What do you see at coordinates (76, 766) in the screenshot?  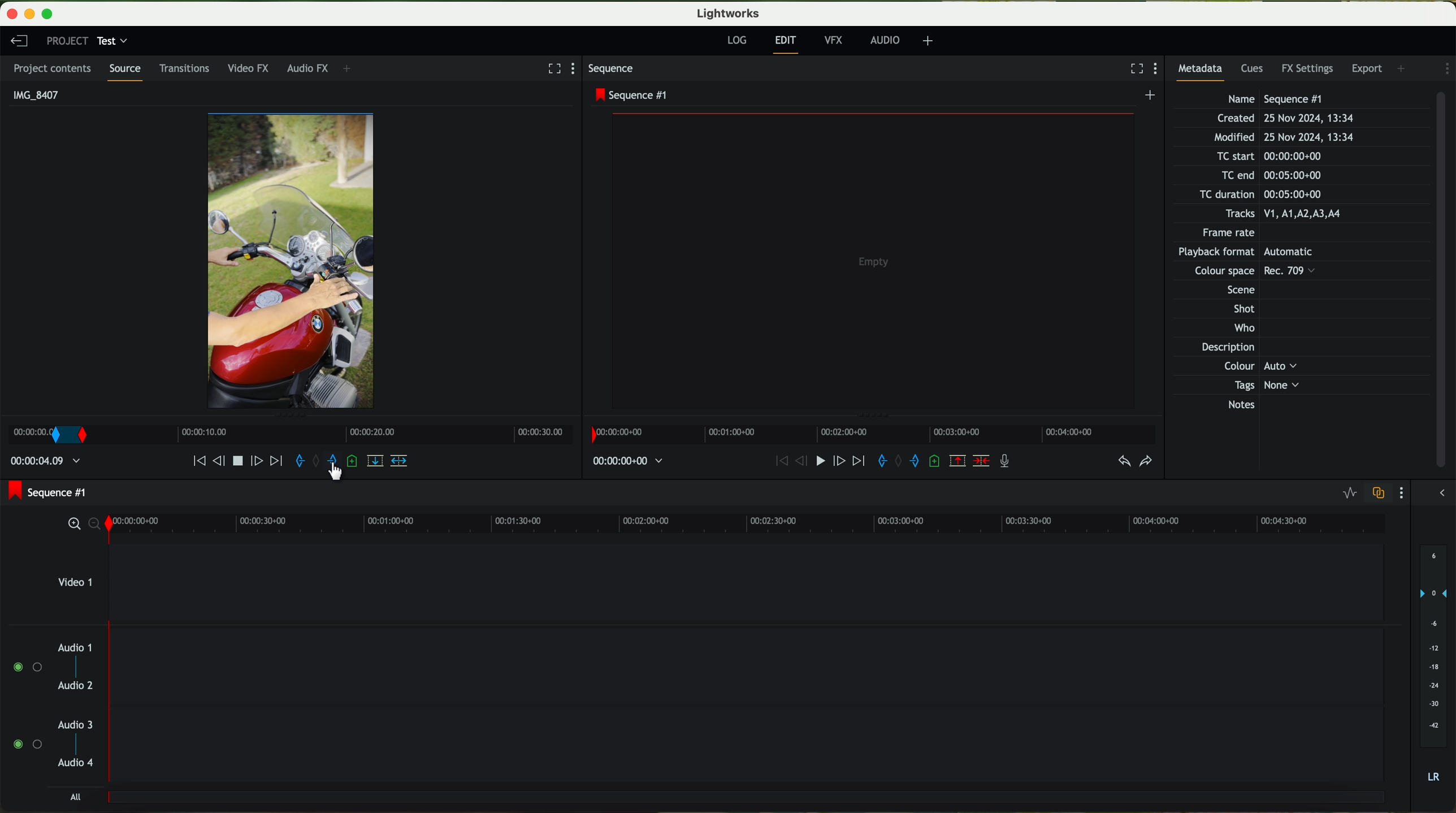 I see `audio 4` at bounding box center [76, 766].